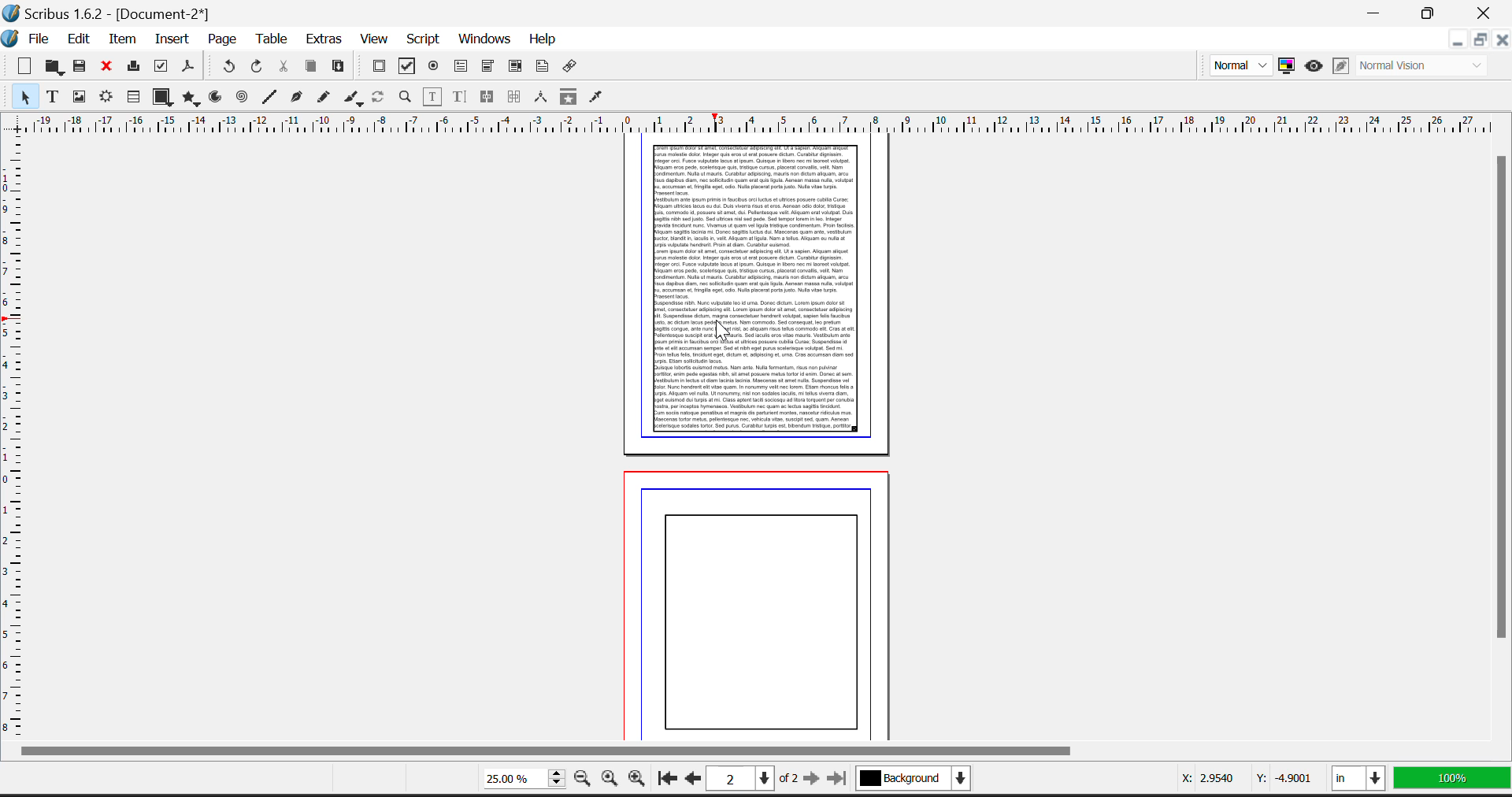 The width and height of the screenshot is (1512, 797). What do you see at coordinates (598, 98) in the screenshot?
I see `Eyedropper` at bounding box center [598, 98].